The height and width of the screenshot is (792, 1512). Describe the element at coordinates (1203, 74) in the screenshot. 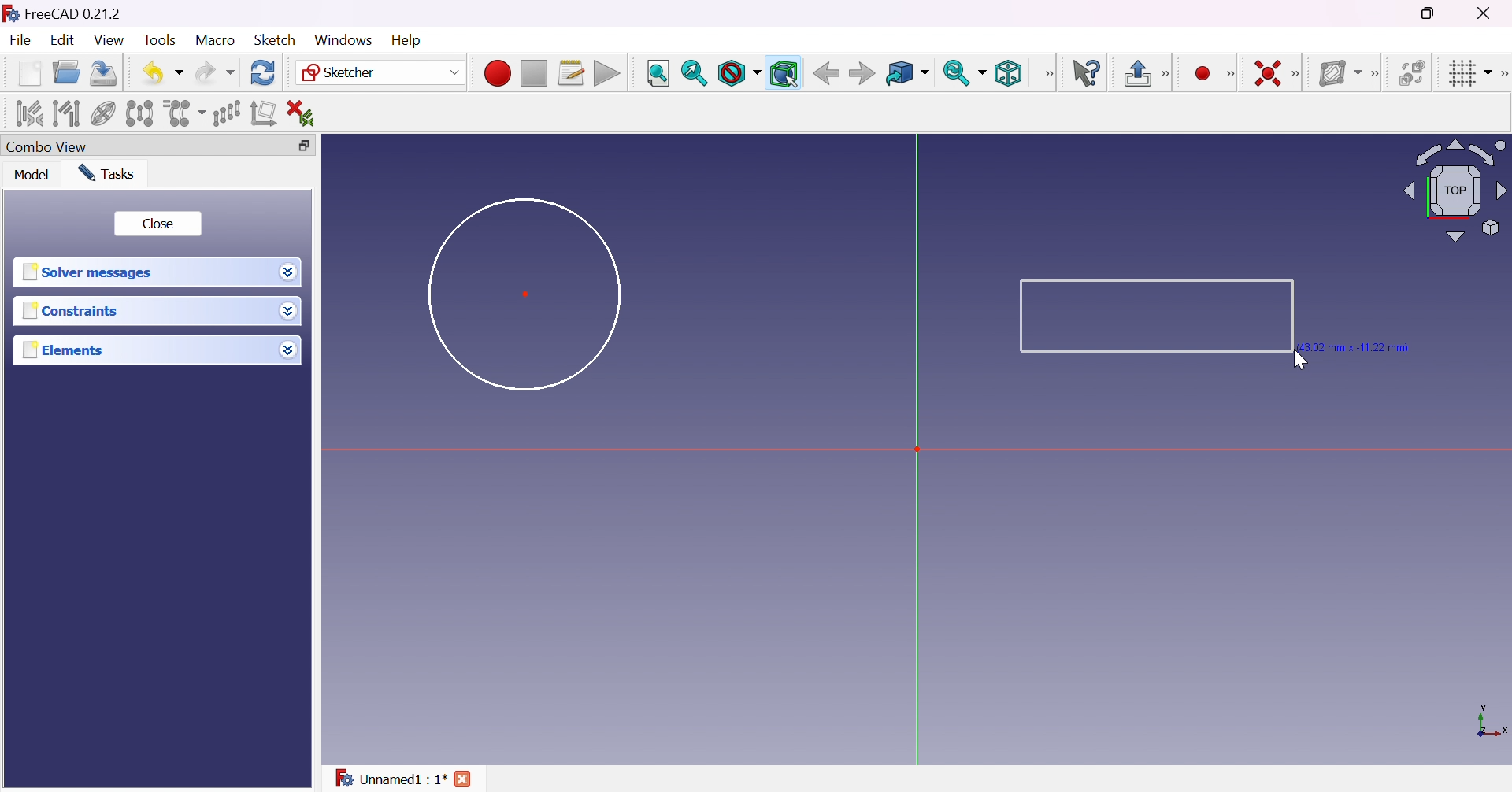

I see `Create point` at that location.